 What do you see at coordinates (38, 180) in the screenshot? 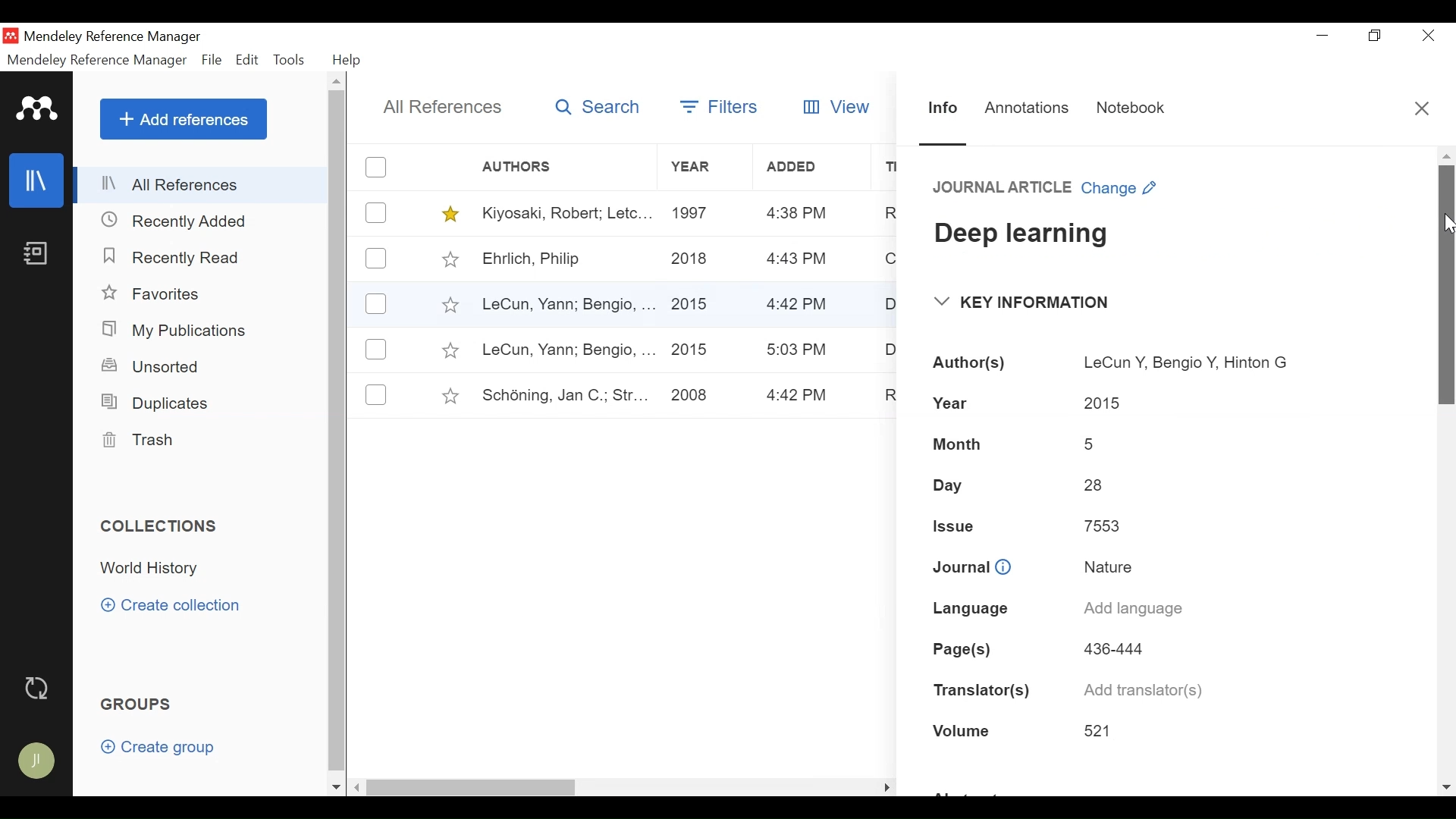
I see `Library` at bounding box center [38, 180].